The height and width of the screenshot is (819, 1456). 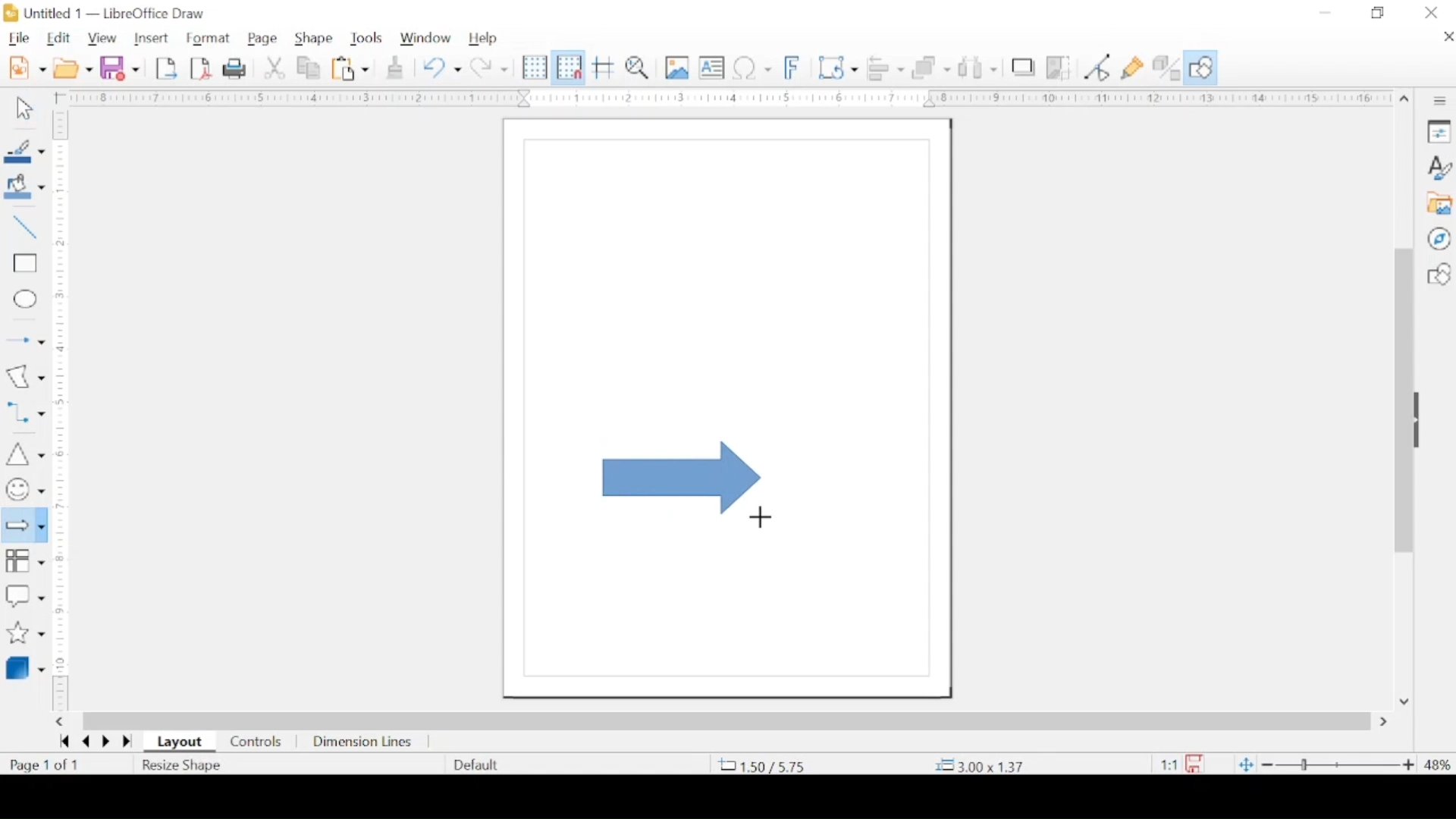 What do you see at coordinates (120, 67) in the screenshot?
I see `save` at bounding box center [120, 67].